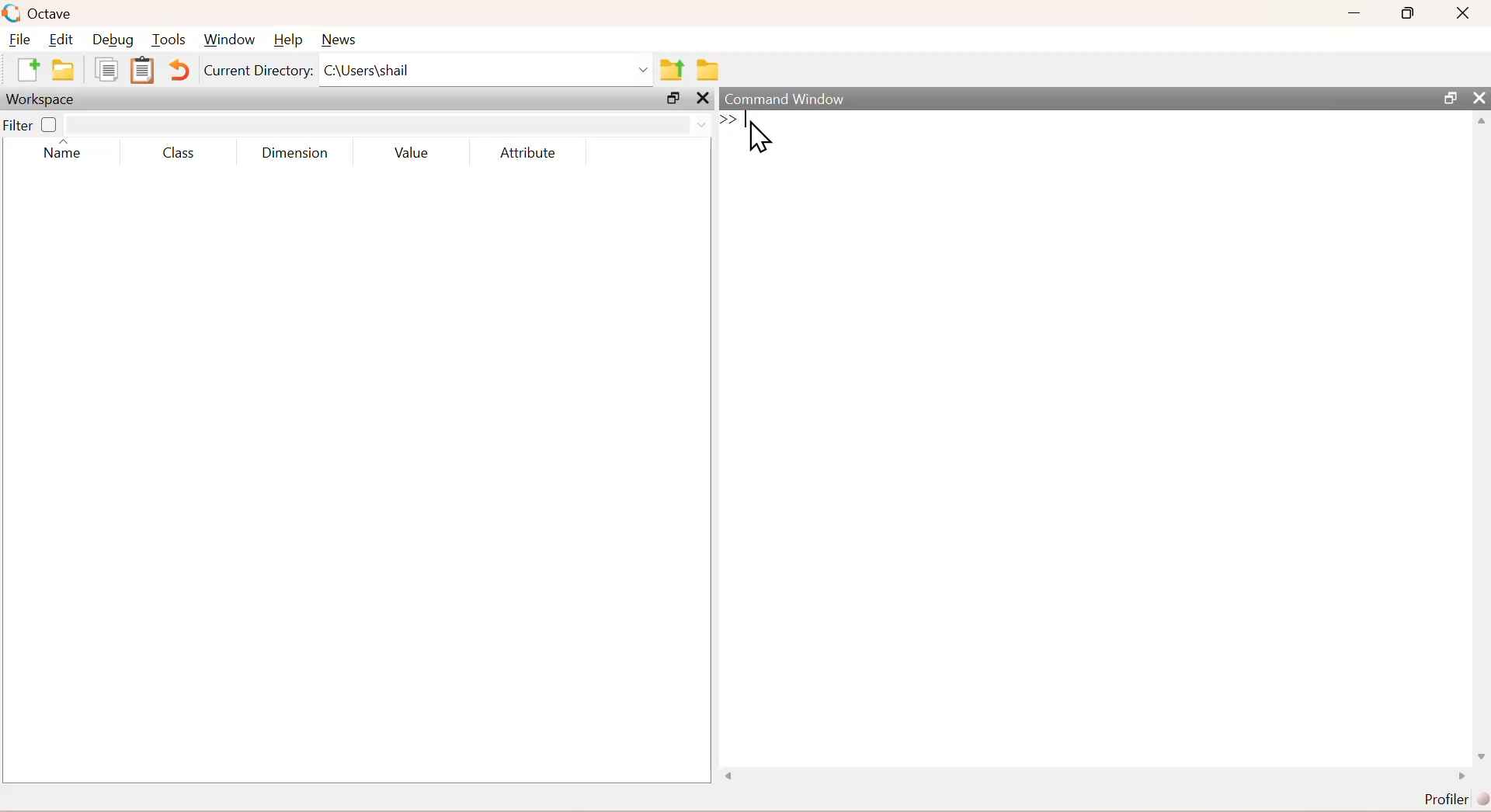 Image resolution: width=1491 pixels, height=812 pixels. Describe the element at coordinates (1448, 96) in the screenshot. I see `Maximize/Restore` at that location.